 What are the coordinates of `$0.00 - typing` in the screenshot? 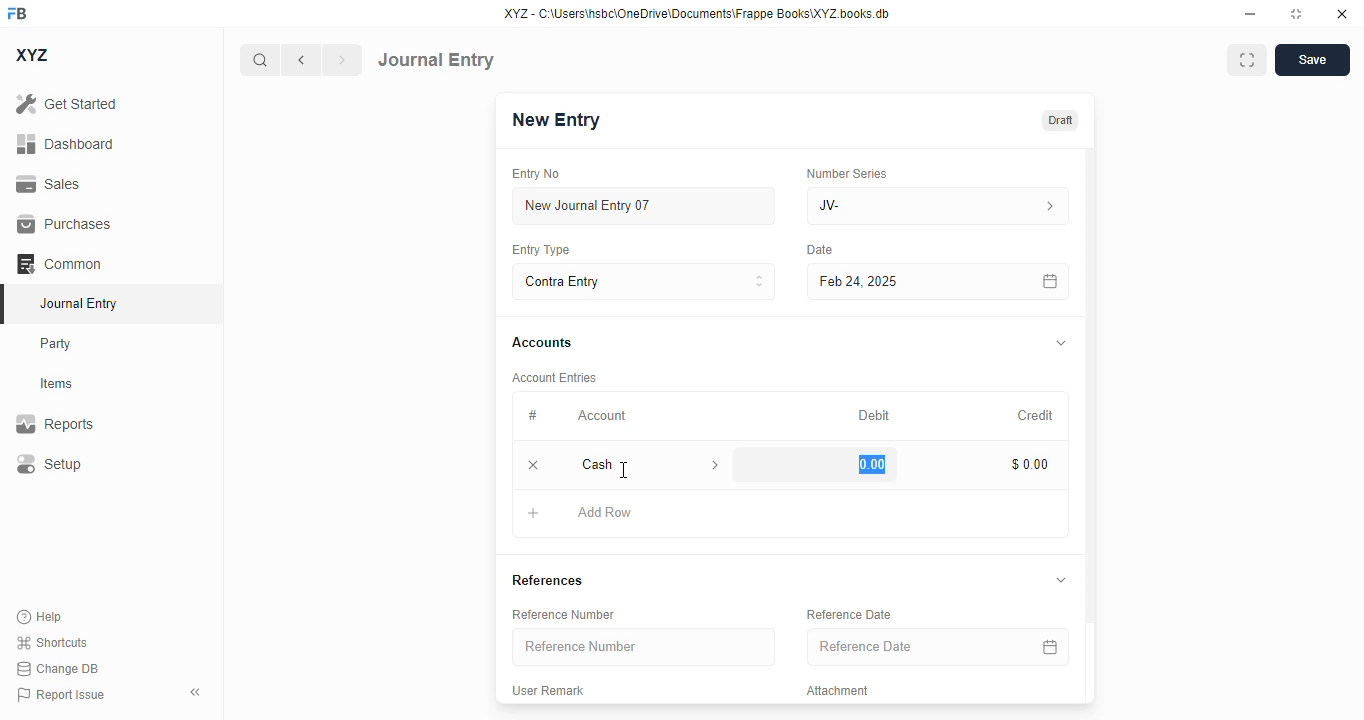 It's located at (868, 464).